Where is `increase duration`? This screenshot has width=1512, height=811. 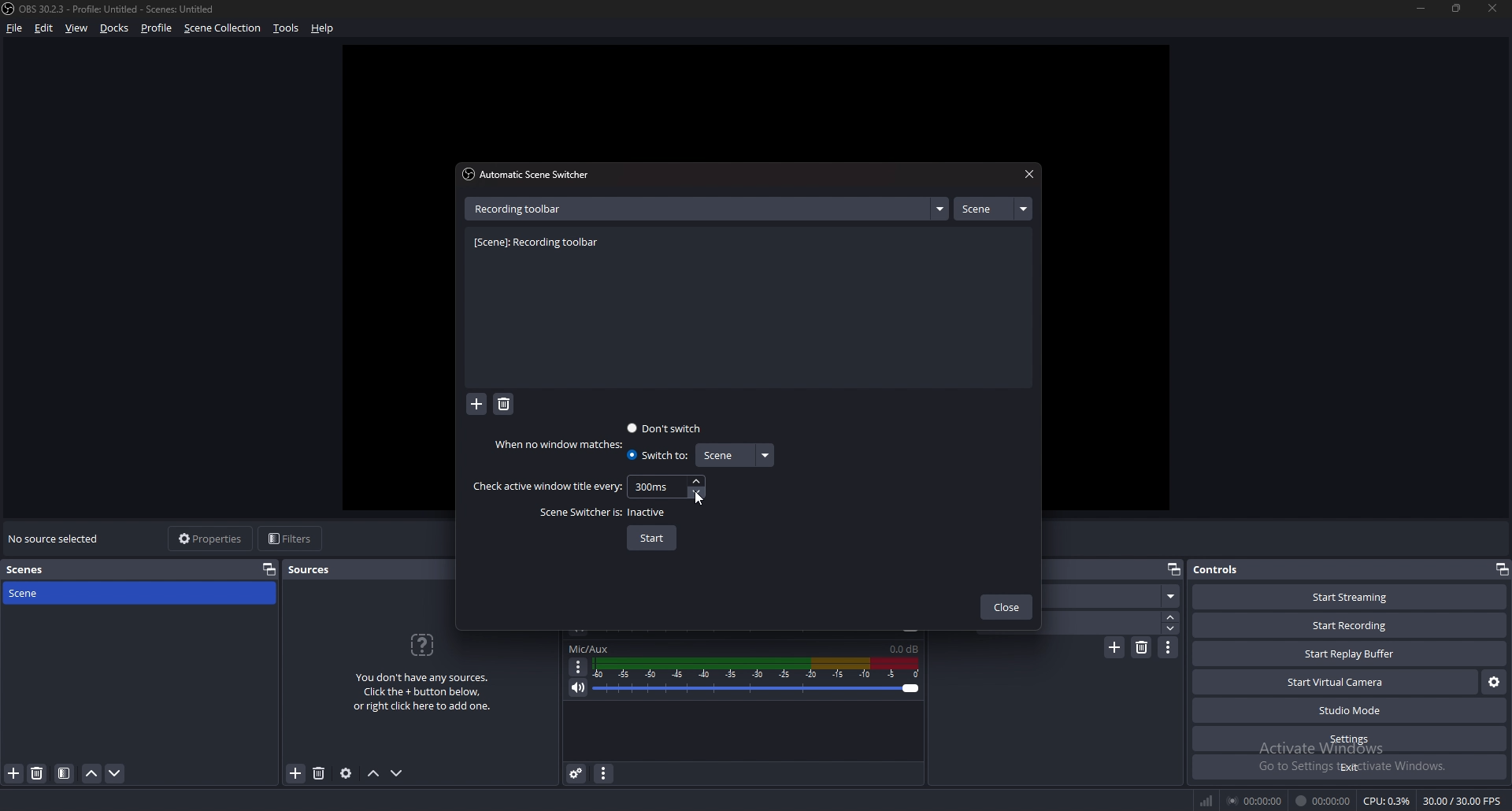 increase duration is located at coordinates (1172, 616).